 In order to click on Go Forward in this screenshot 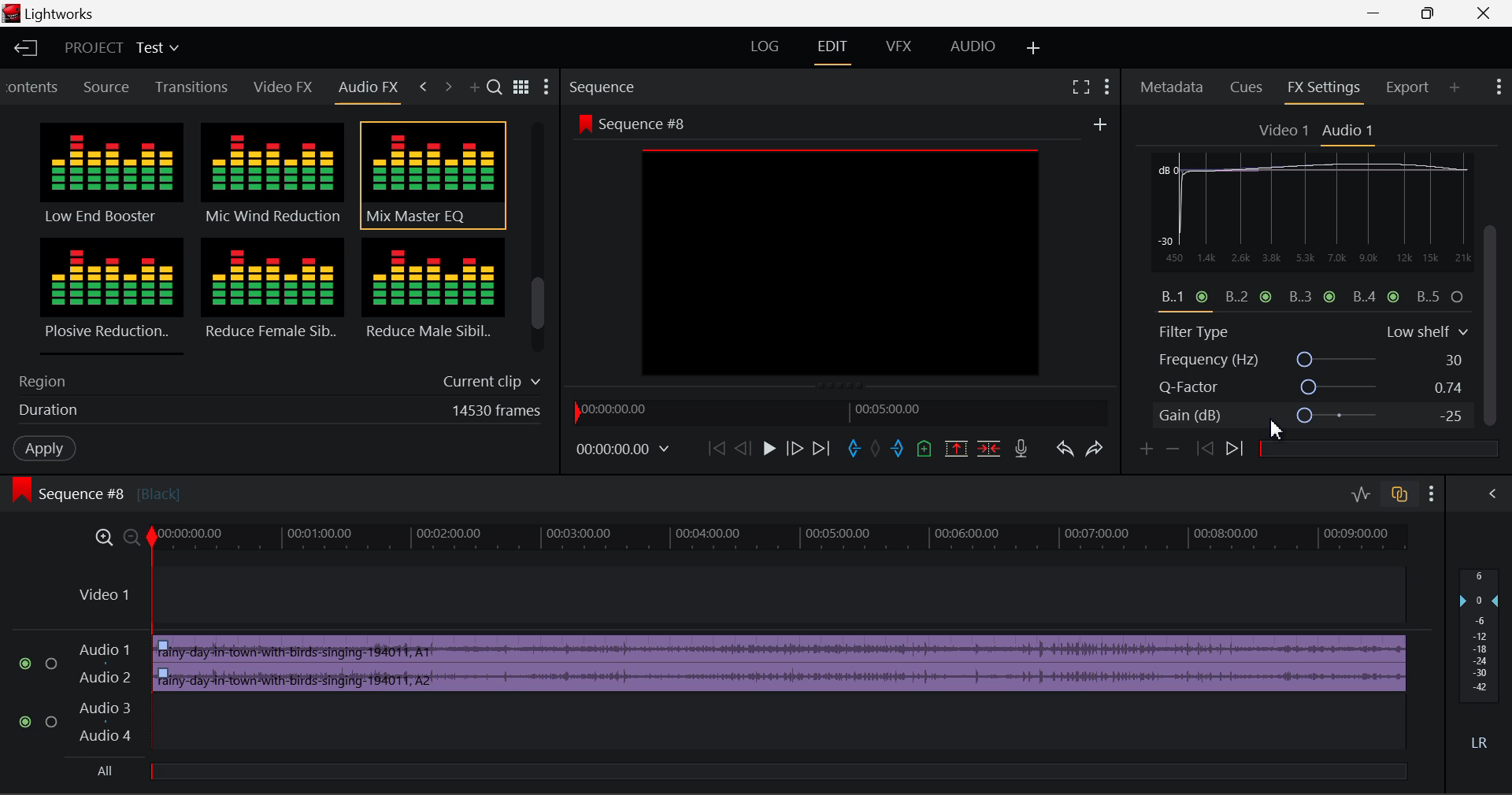, I will do `click(794, 449)`.